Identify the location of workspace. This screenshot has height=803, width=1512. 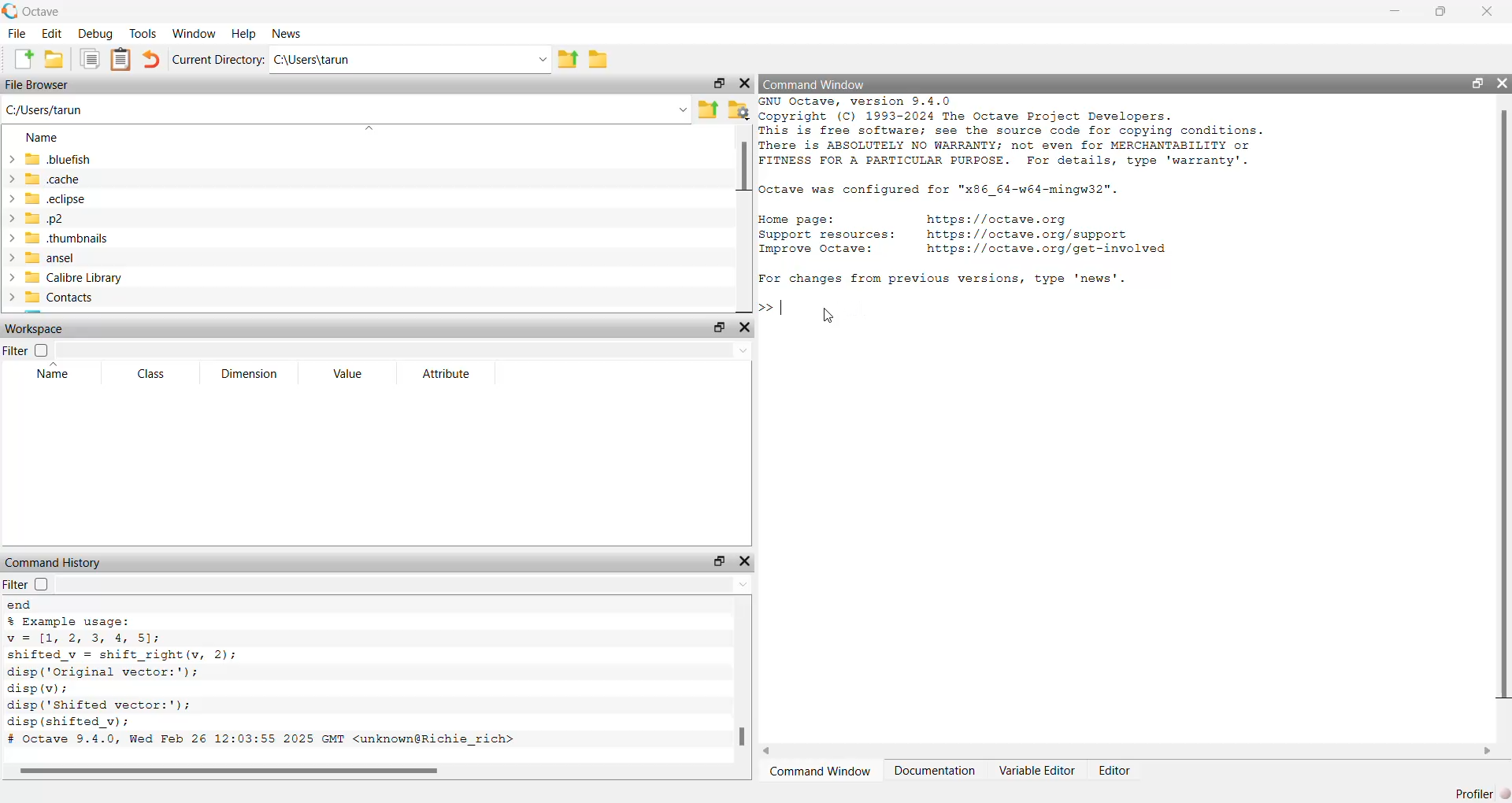
(55, 327).